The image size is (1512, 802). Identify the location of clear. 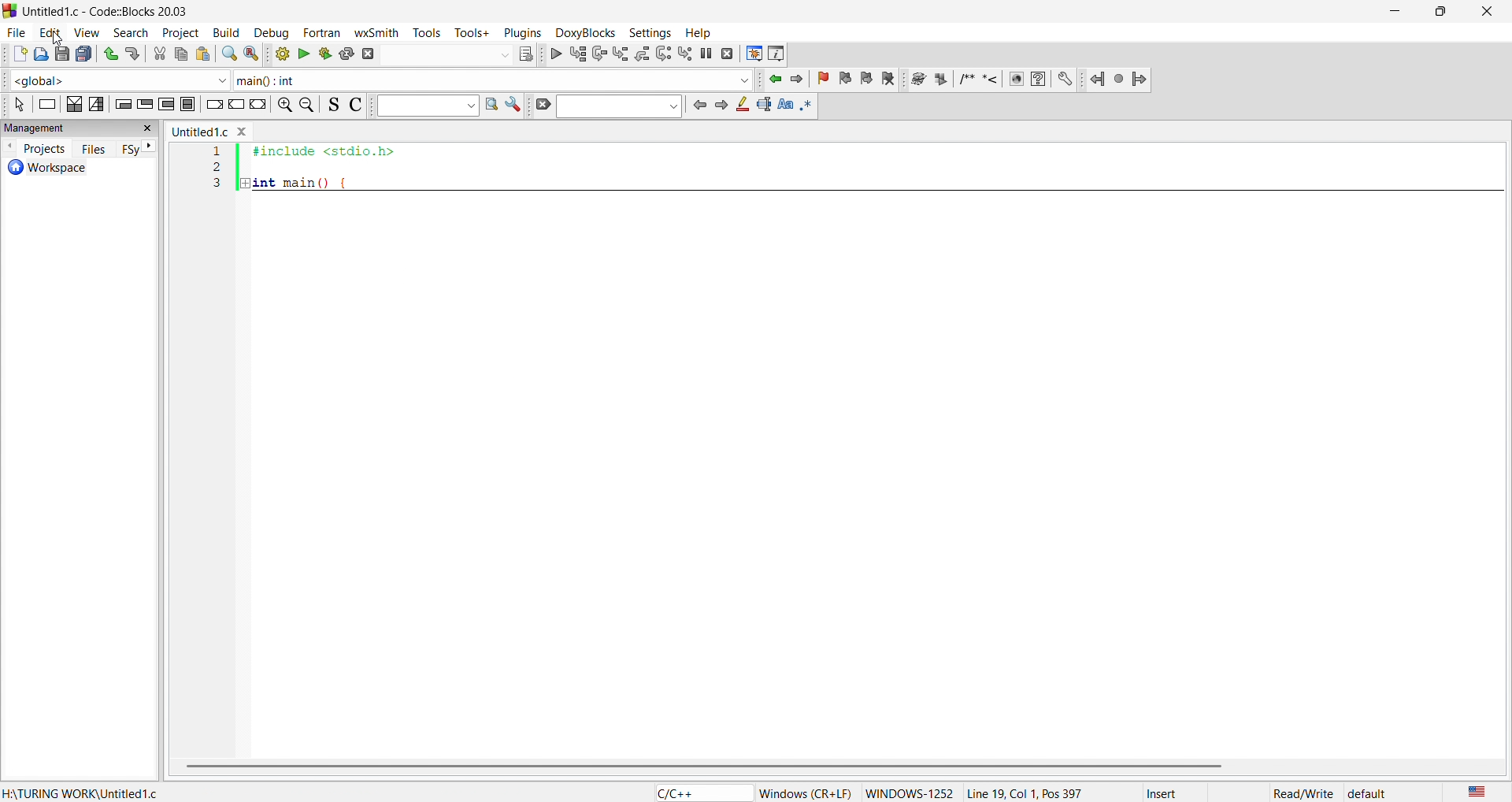
(540, 106).